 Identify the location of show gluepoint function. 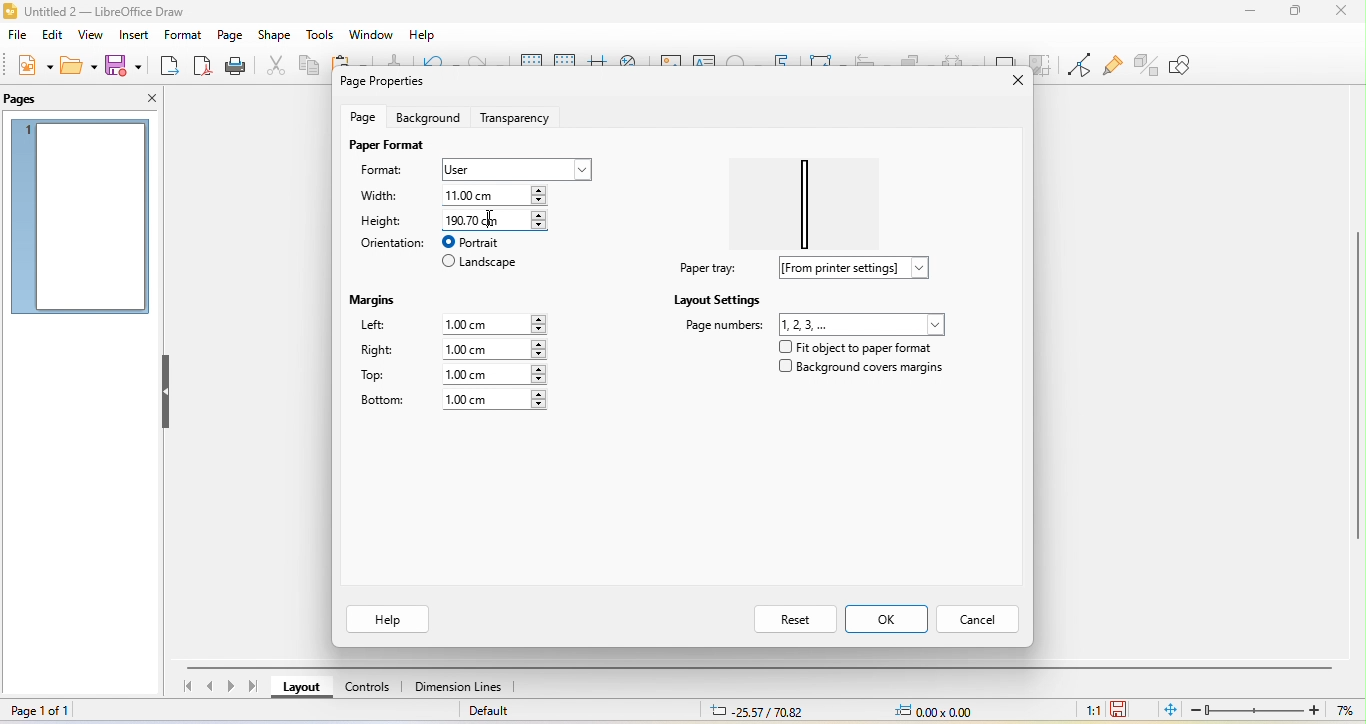
(1110, 66).